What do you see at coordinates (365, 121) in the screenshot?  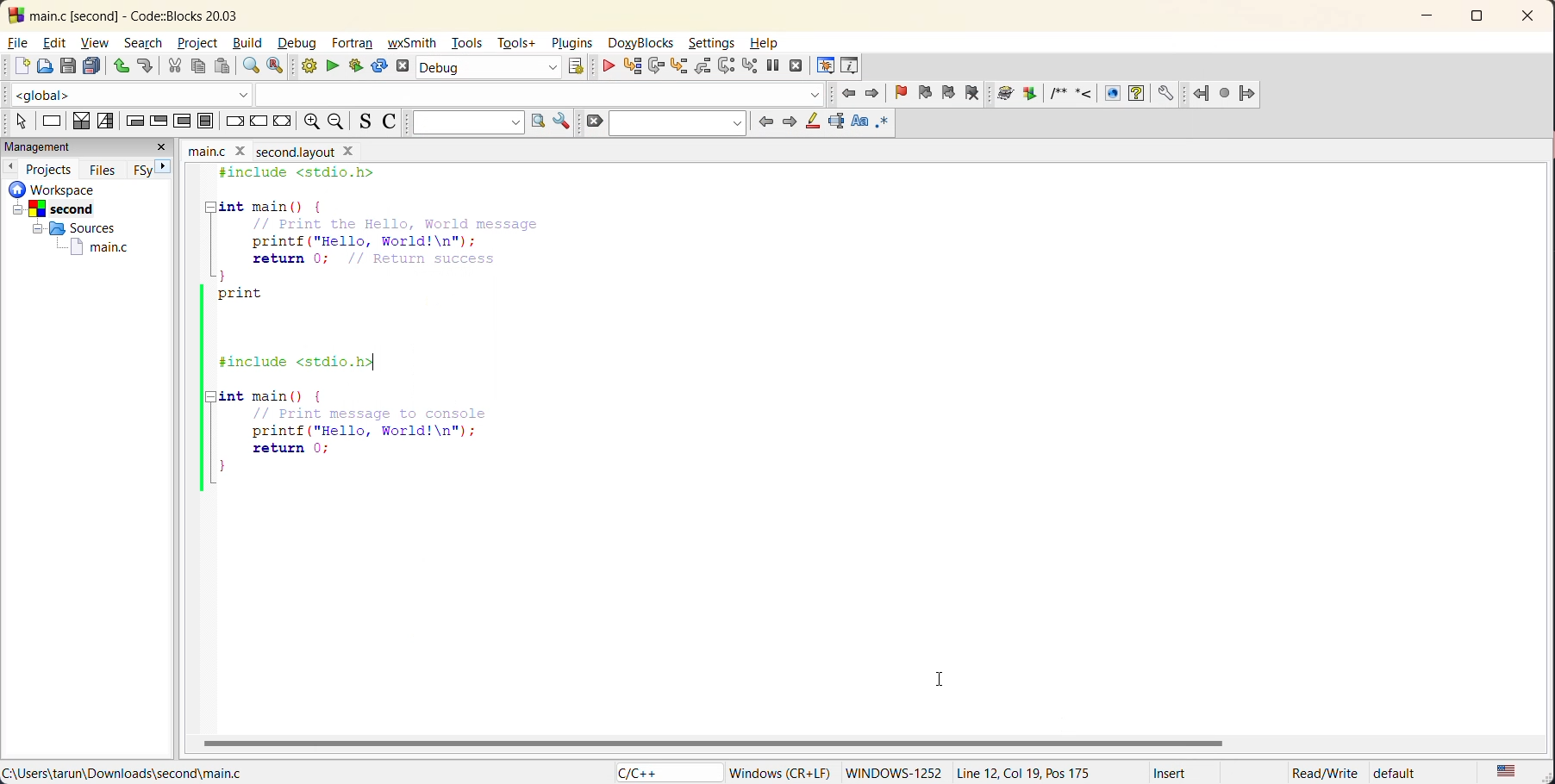 I see `toggle source` at bounding box center [365, 121].